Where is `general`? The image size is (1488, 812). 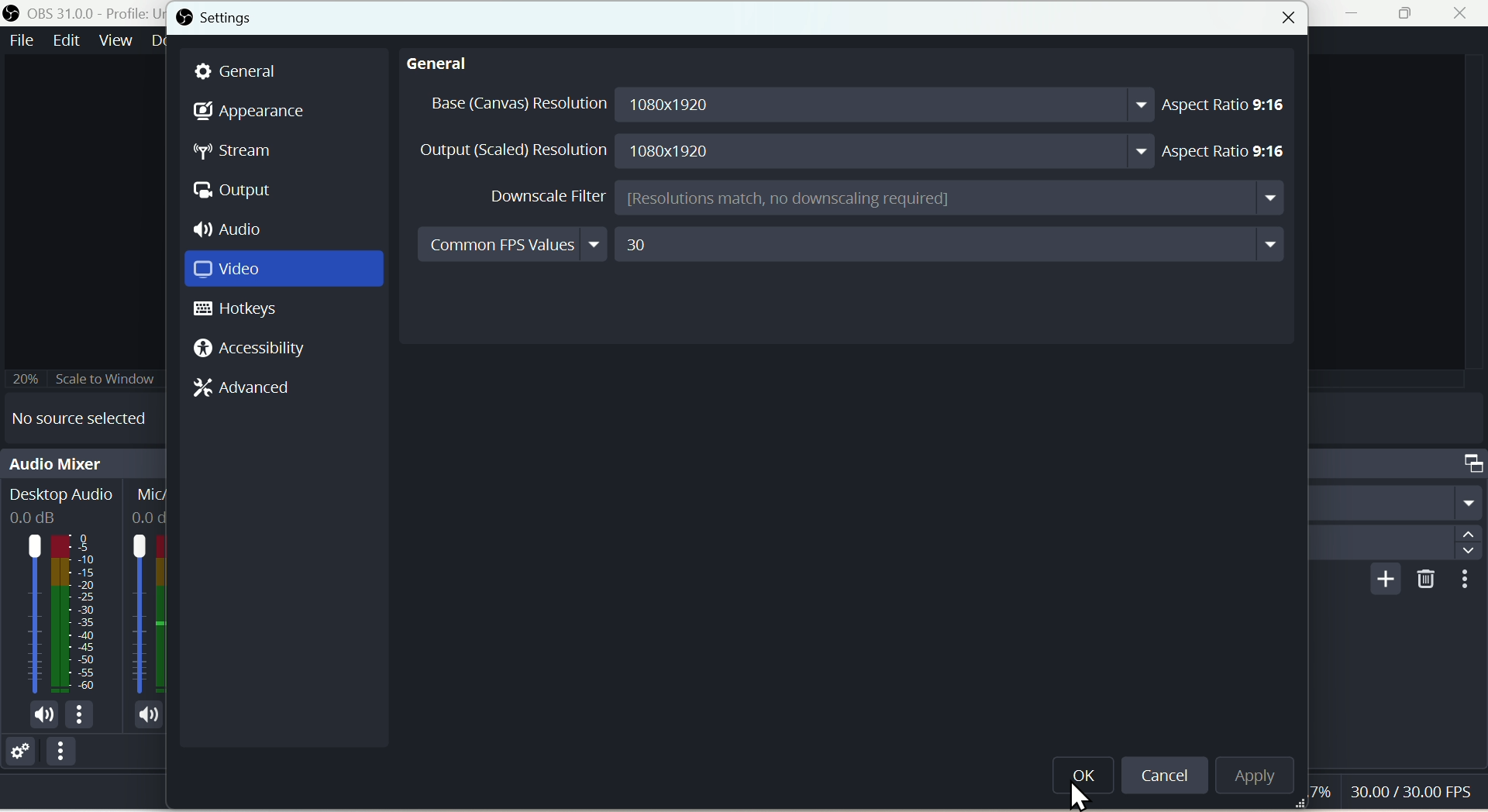 general is located at coordinates (444, 67).